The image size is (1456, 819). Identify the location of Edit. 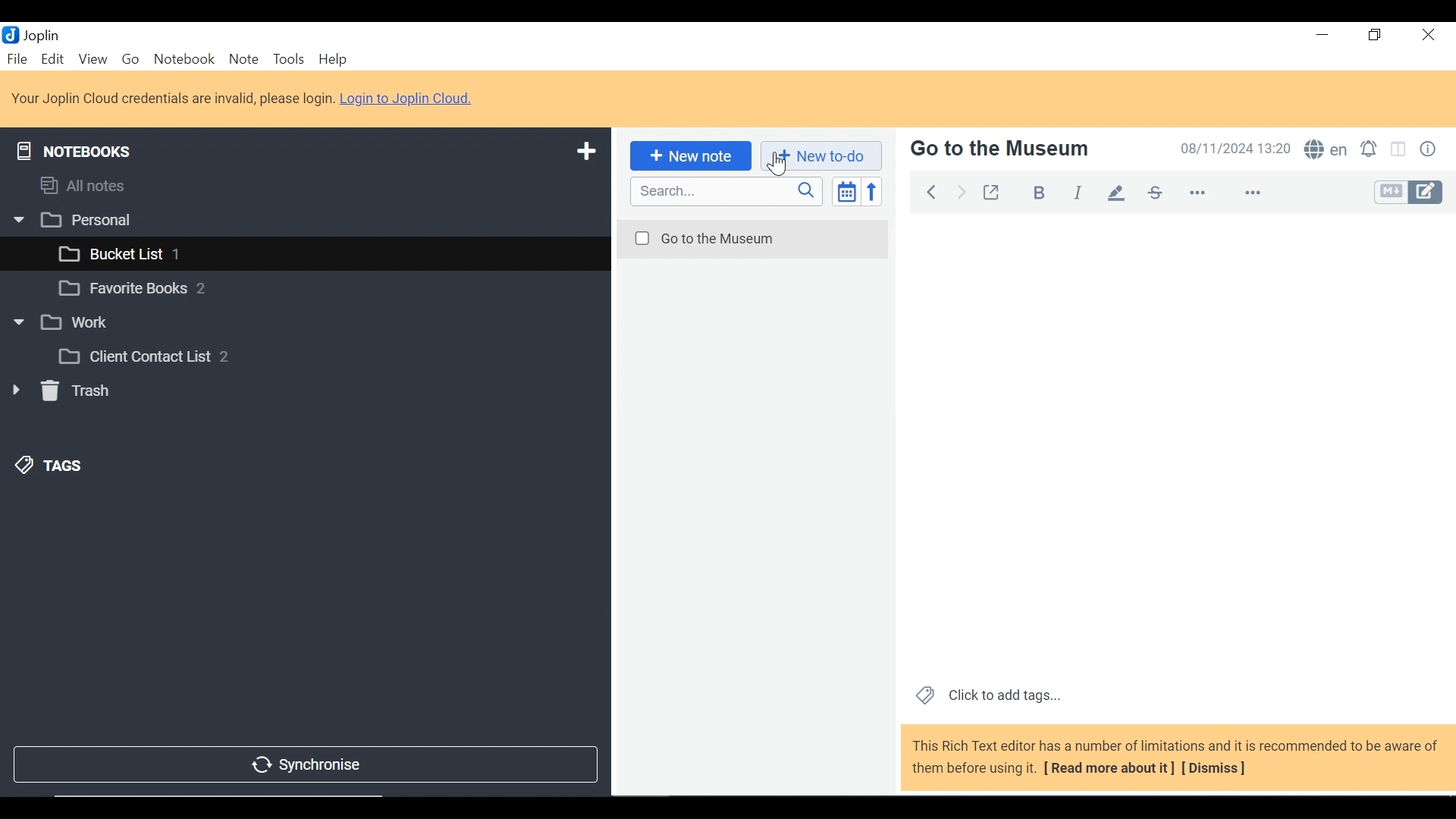
(53, 60).